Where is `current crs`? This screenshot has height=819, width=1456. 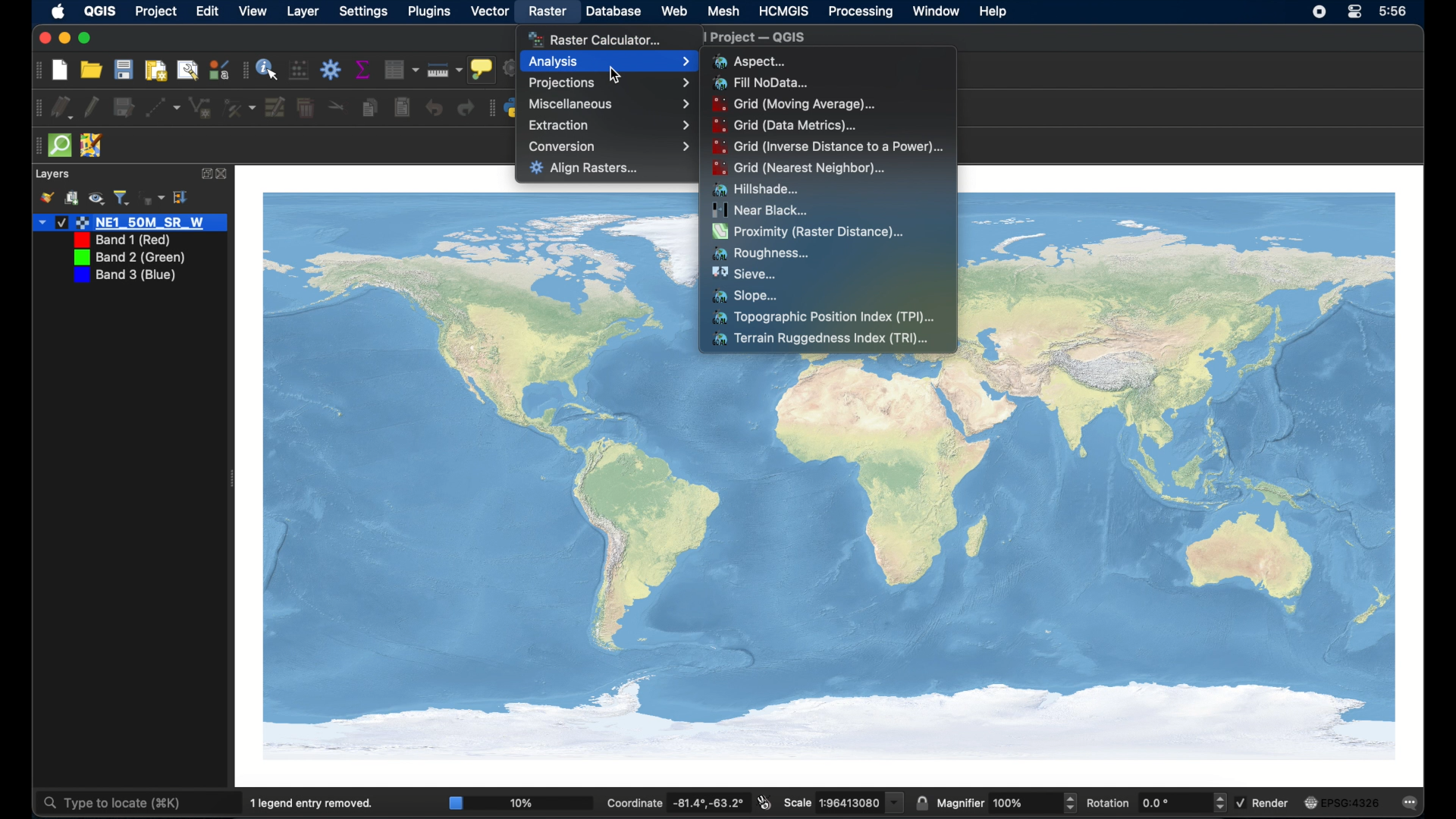
current crs is located at coordinates (1344, 803).